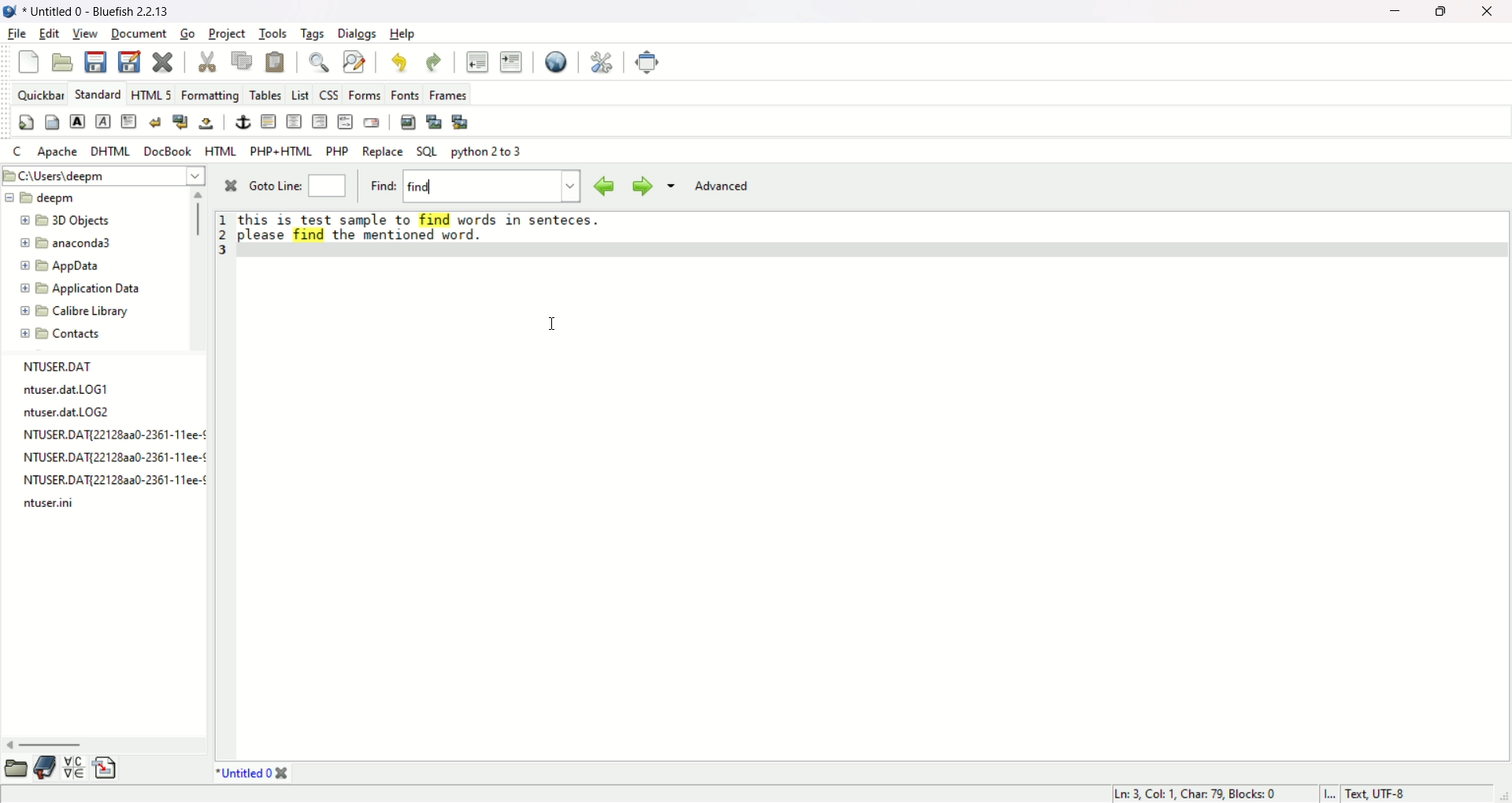 This screenshot has height=803, width=1512. I want to click on PHP, so click(336, 151).